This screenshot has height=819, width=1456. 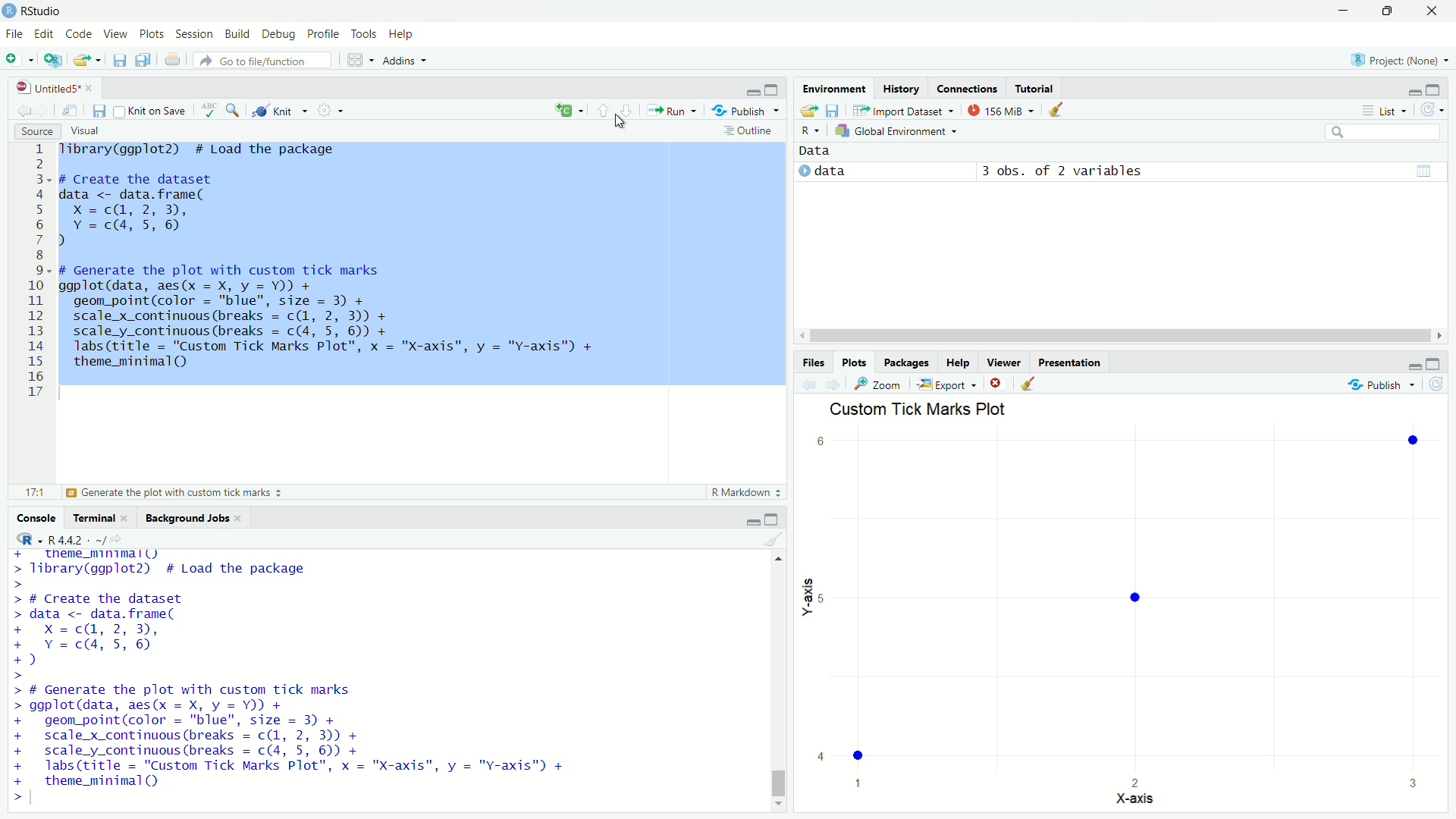 What do you see at coordinates (243, 518) in the screenshot?
I see `close` at bounding box center [243, 518].